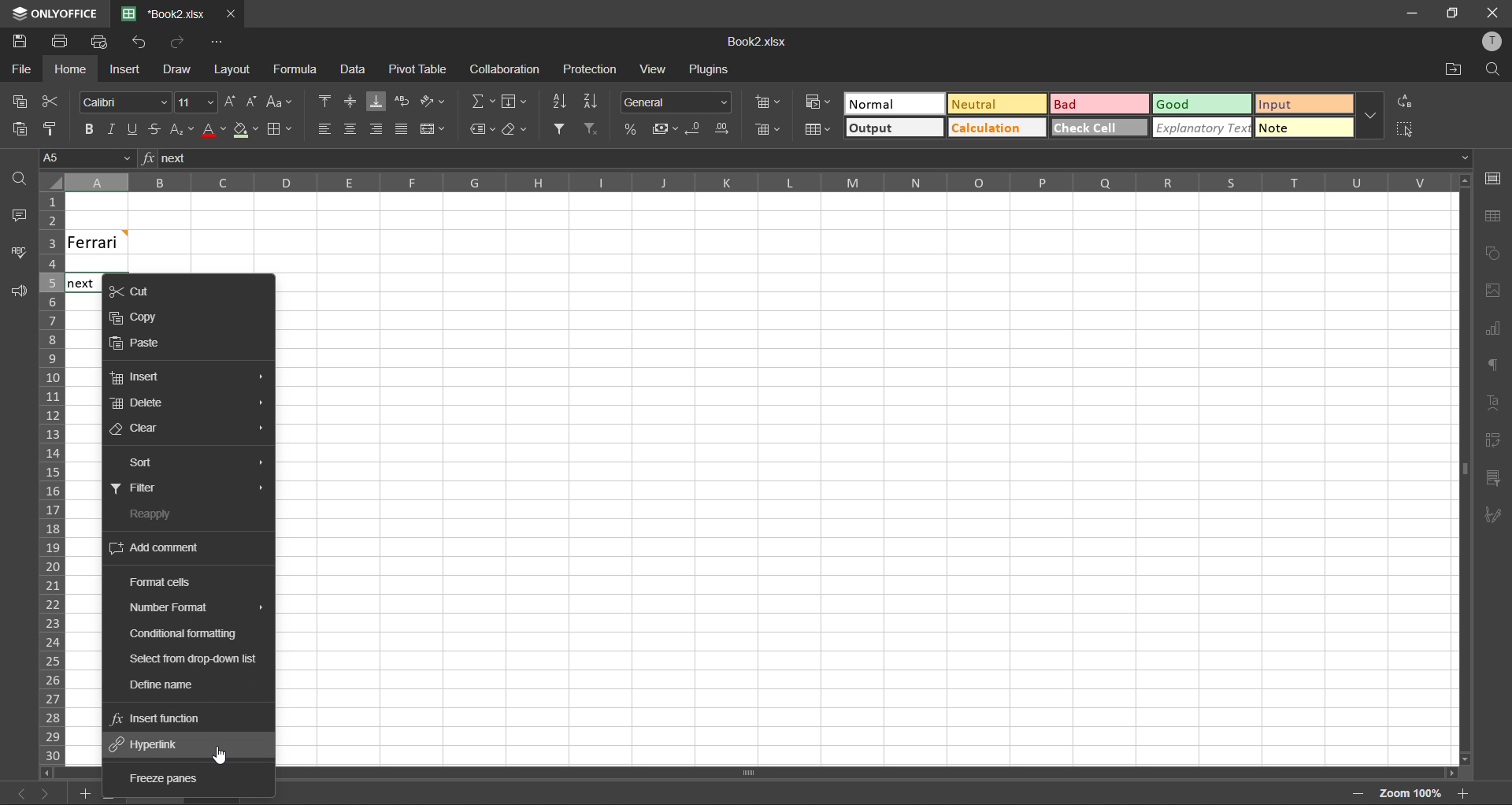 Image resolution: width=1512 pixels, height=805 pixels. I want to click on zoom in, so click(1462, 792).